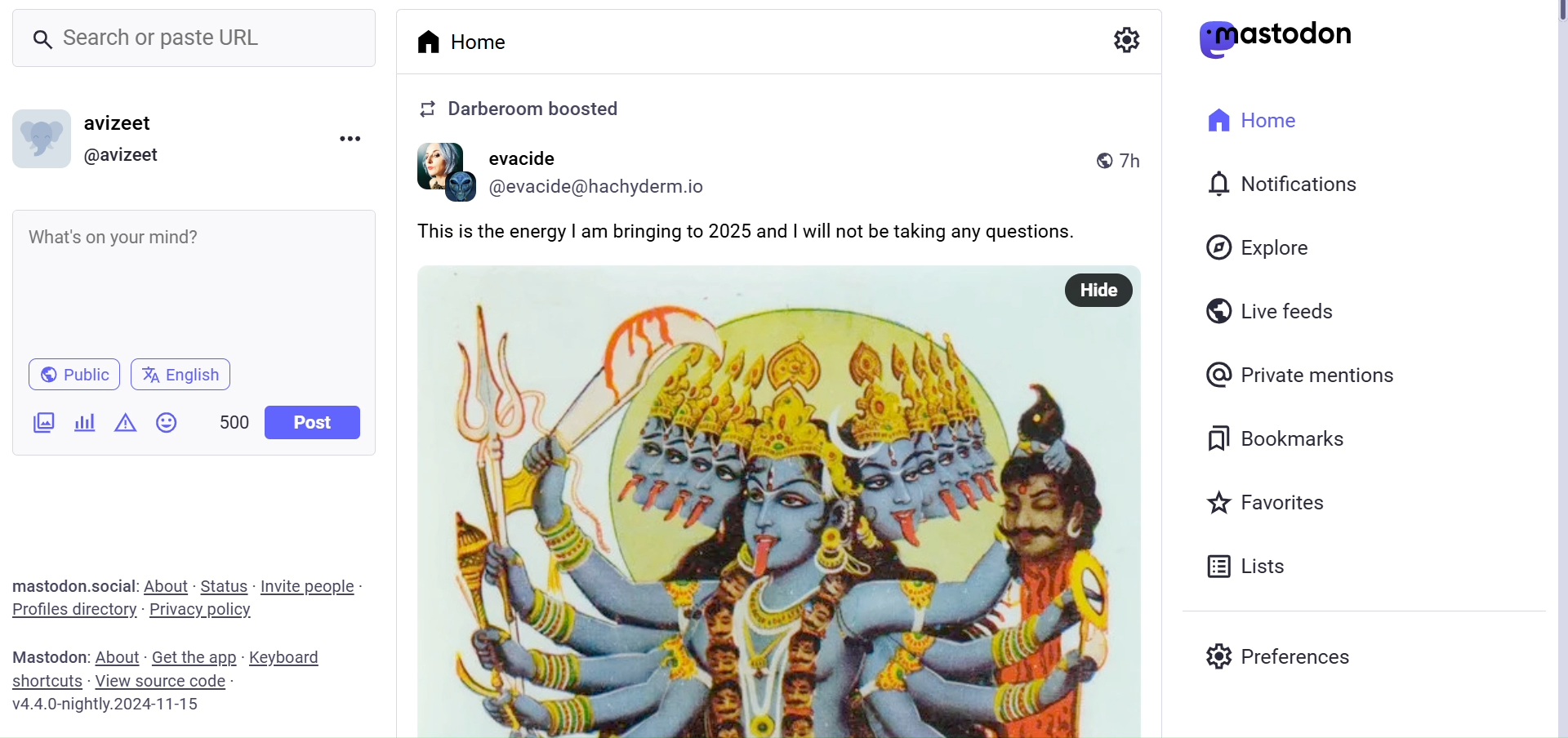 This screenshot has width=1568, height=738. I want to click on Post, so click(315, 422).